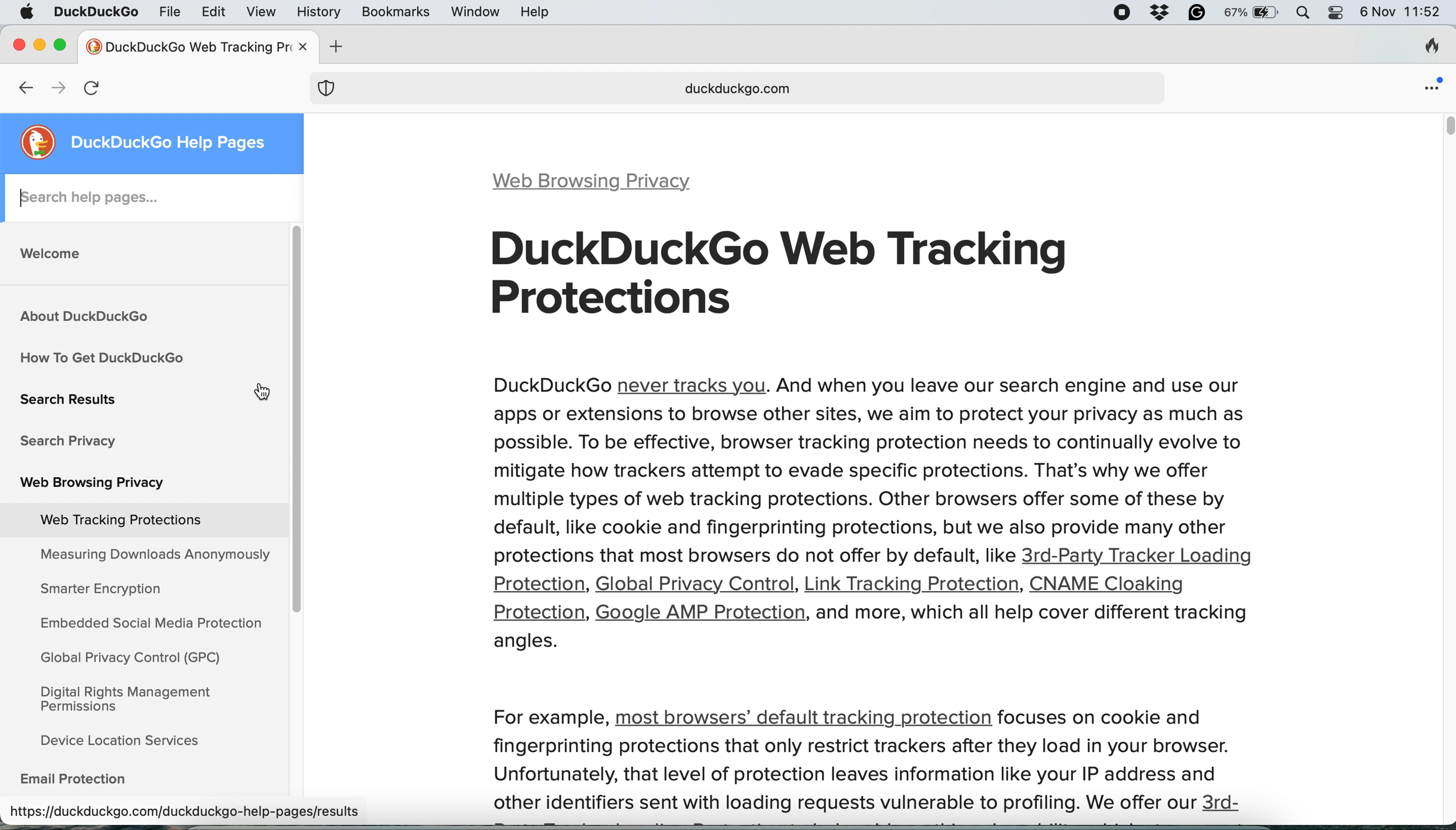 Image resolution: width=1456 pixels, height=830 pixels. What do you see at coordinates (792, 276) in the screenshot?
I see `duckduckgo web tracking protections` at bounding box center [792, 276].